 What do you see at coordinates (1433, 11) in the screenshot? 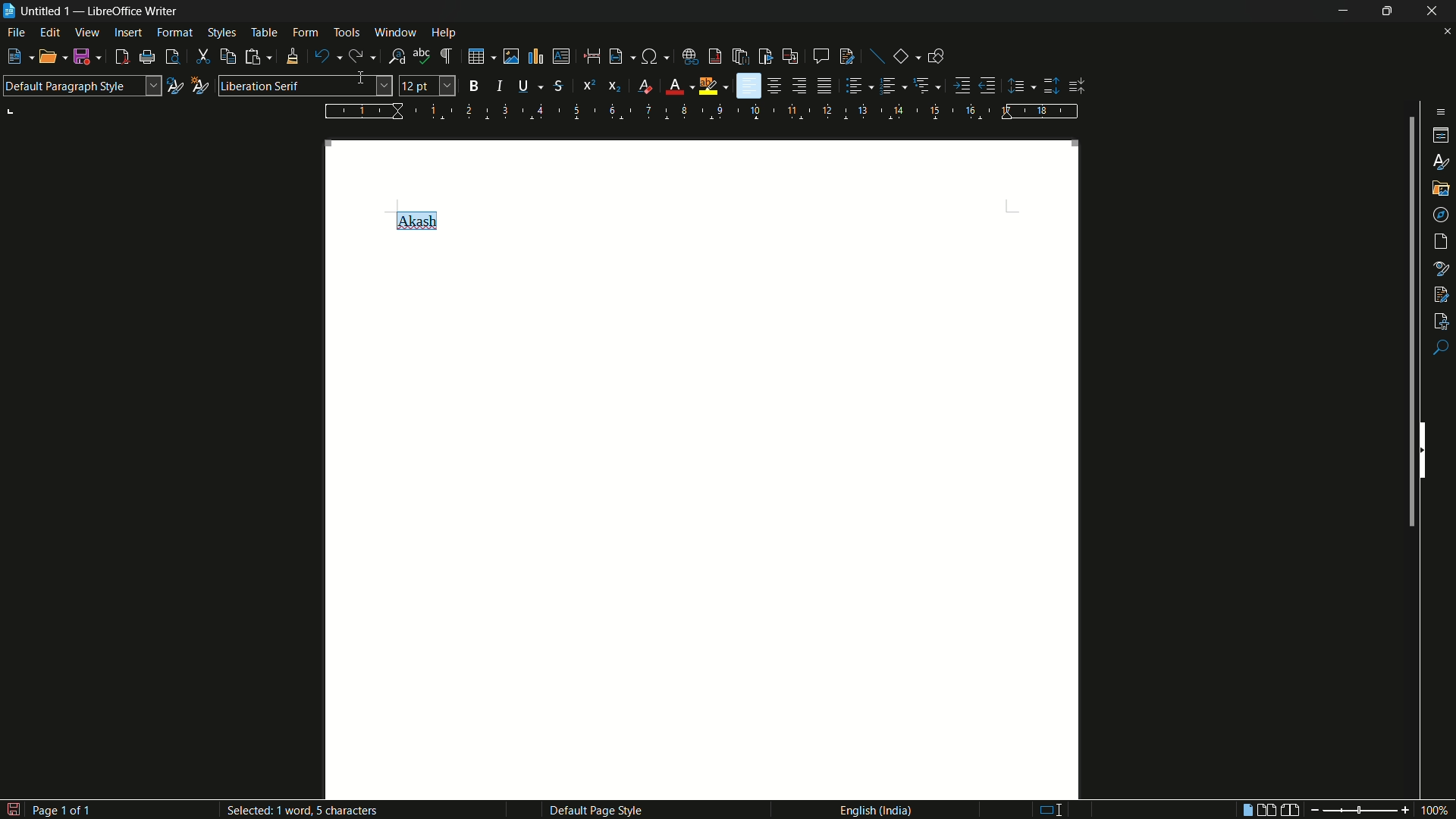
I see `close app` at bounding box center [1433, 11].